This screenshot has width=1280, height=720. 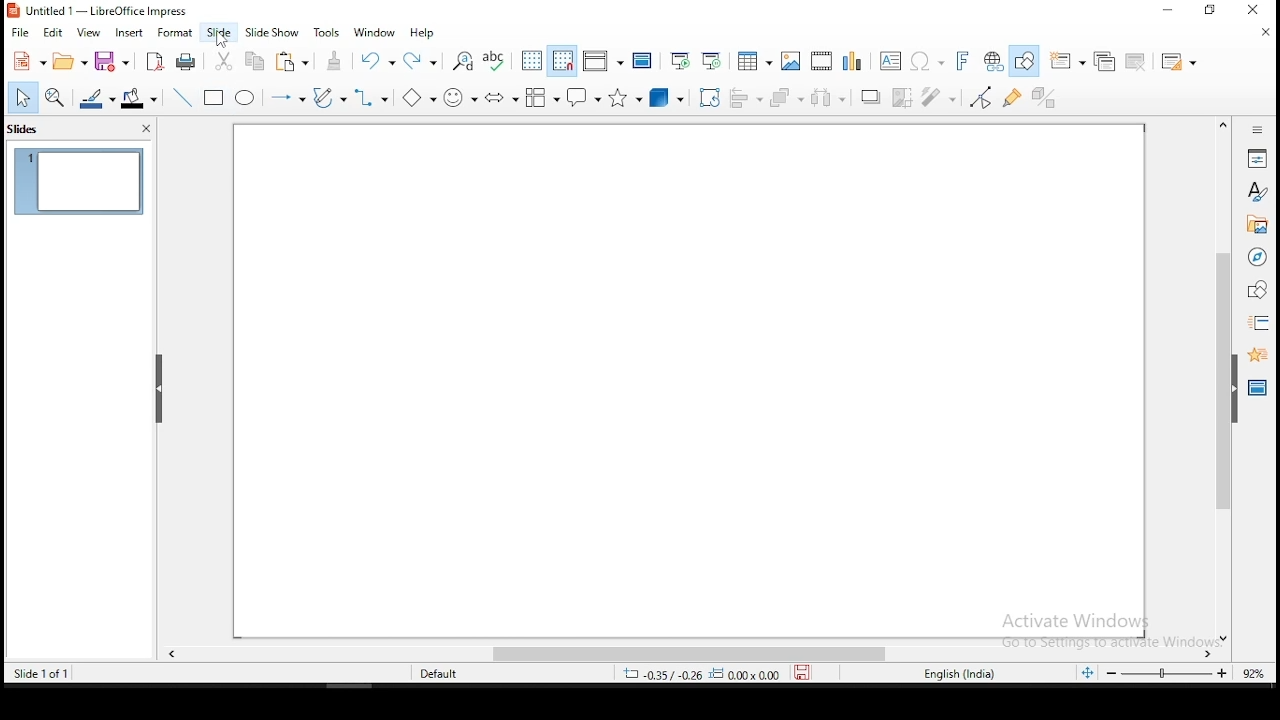 What do you see at coordinates (1136, 61) in the screenshot?
I see `delete slide` at bounding box center [1136, 61].